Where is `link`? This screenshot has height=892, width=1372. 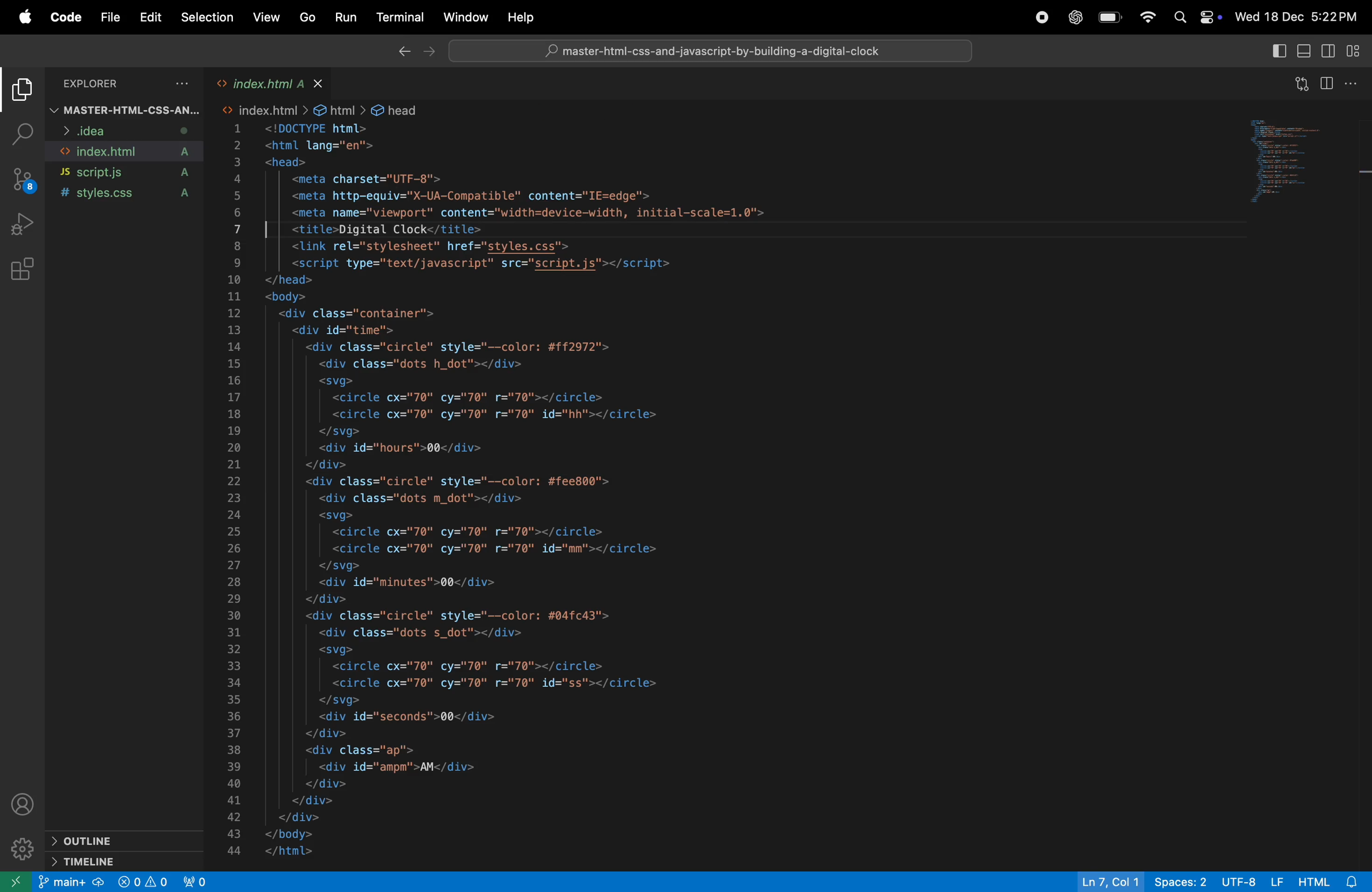 link is located at coordinates (341, 108).